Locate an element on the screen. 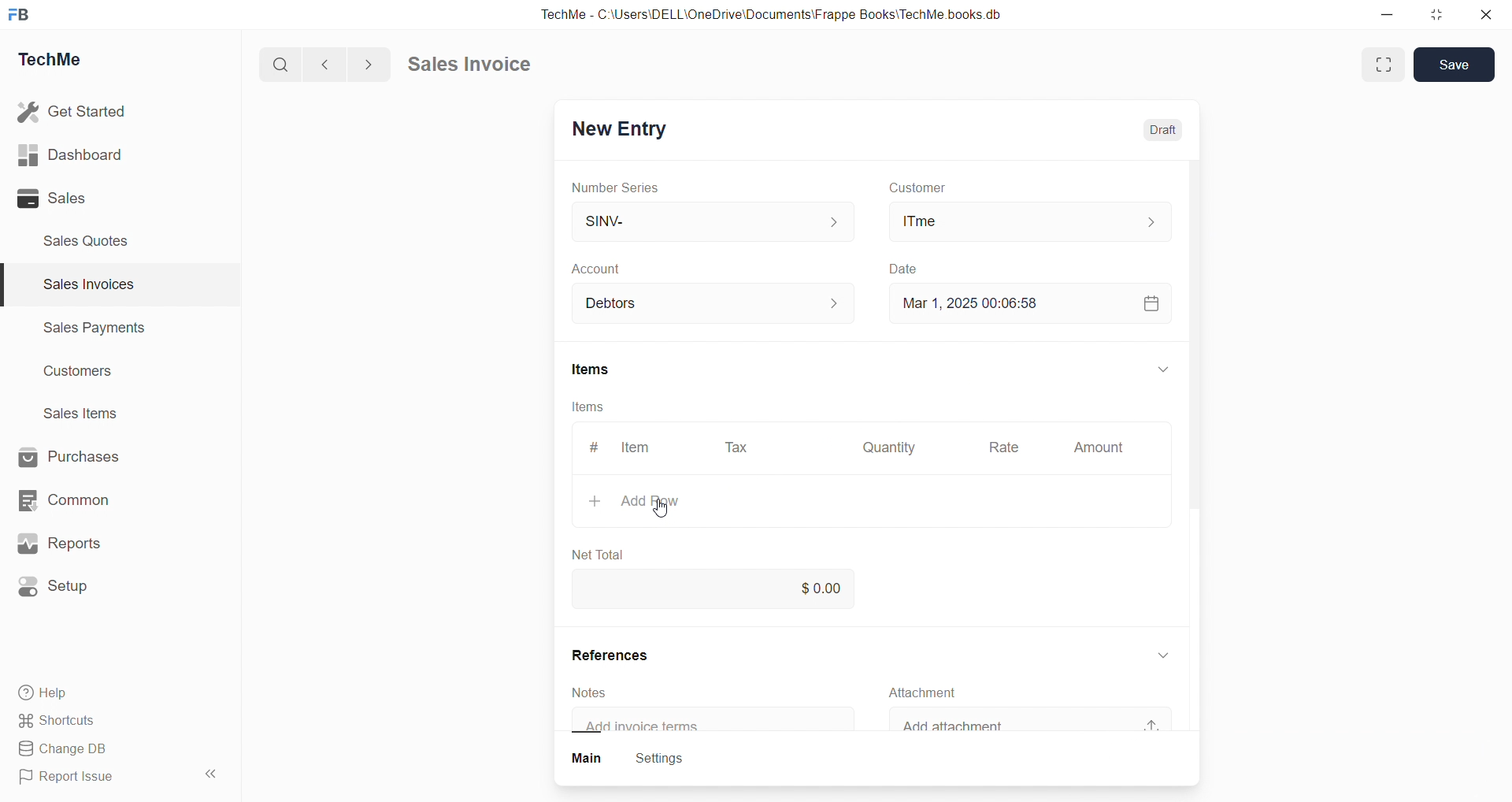 The width and height of the screenshot is (1512, 802).  is located at coordinates (587, 759).